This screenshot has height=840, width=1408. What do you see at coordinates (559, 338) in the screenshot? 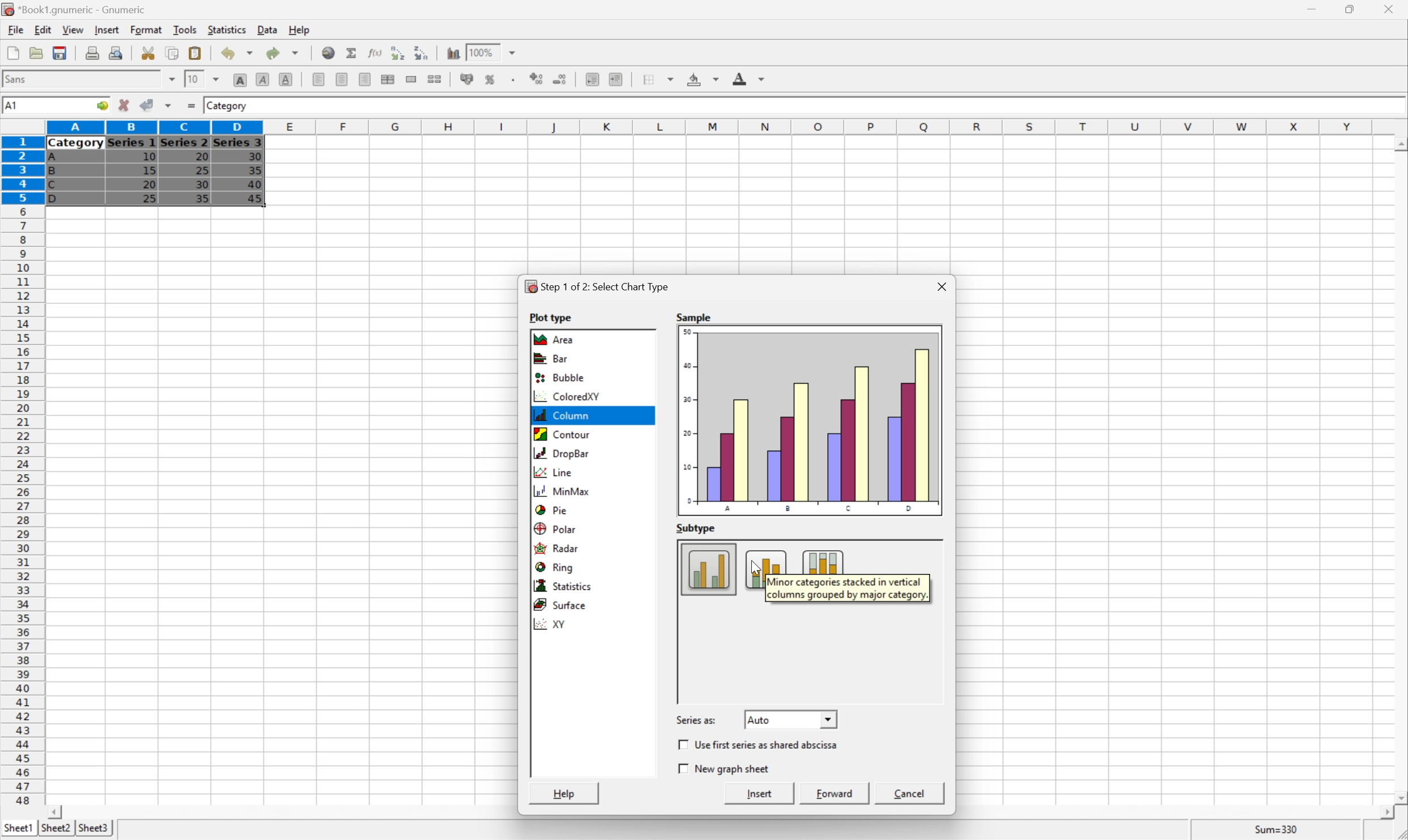
I see `Area` at bounding box center [559, 338].